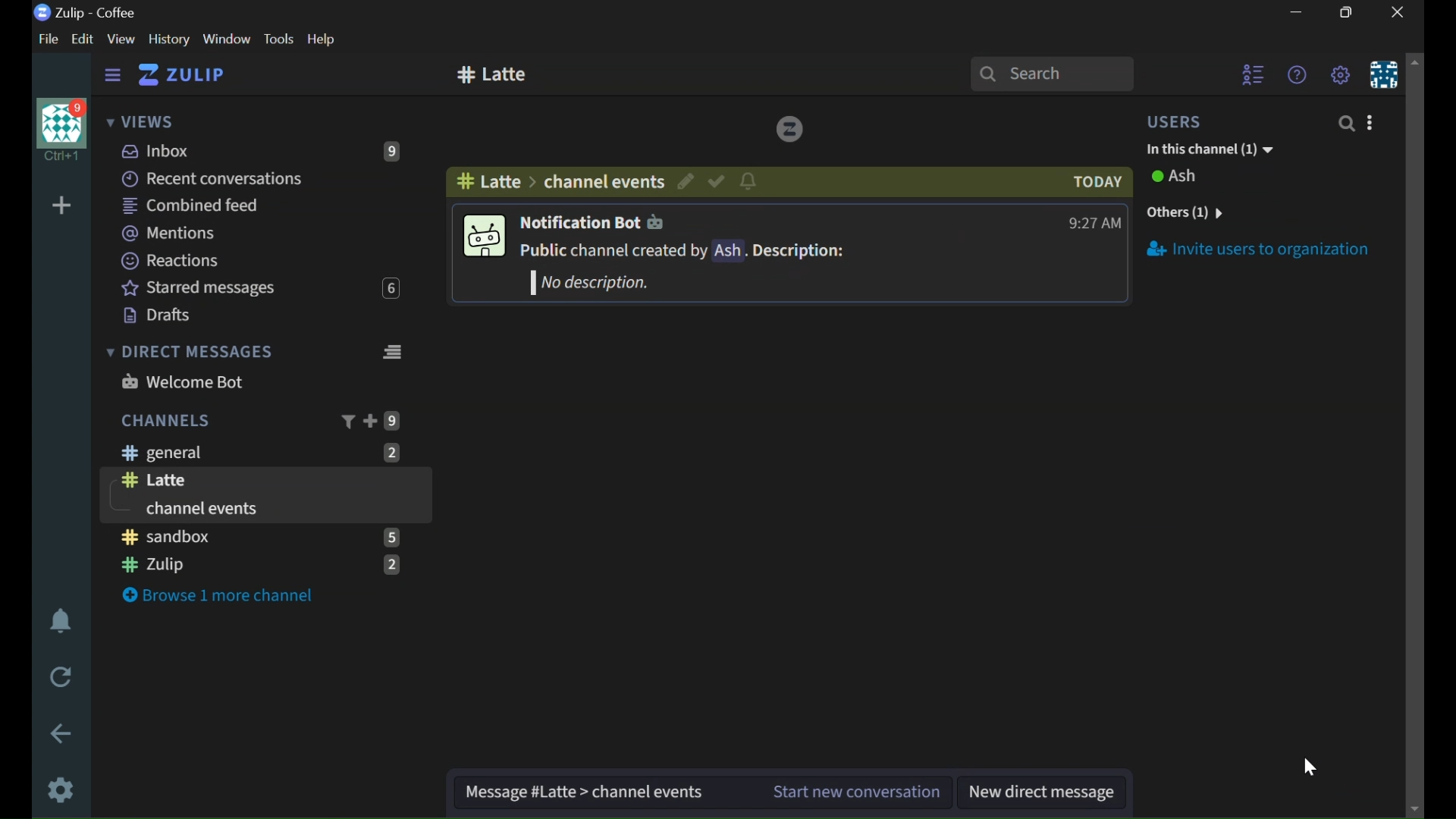  What do you see at coordinates (1093, 223) in the screenshot?
I see `9:27 AM` at bounding box center [1093, 223].